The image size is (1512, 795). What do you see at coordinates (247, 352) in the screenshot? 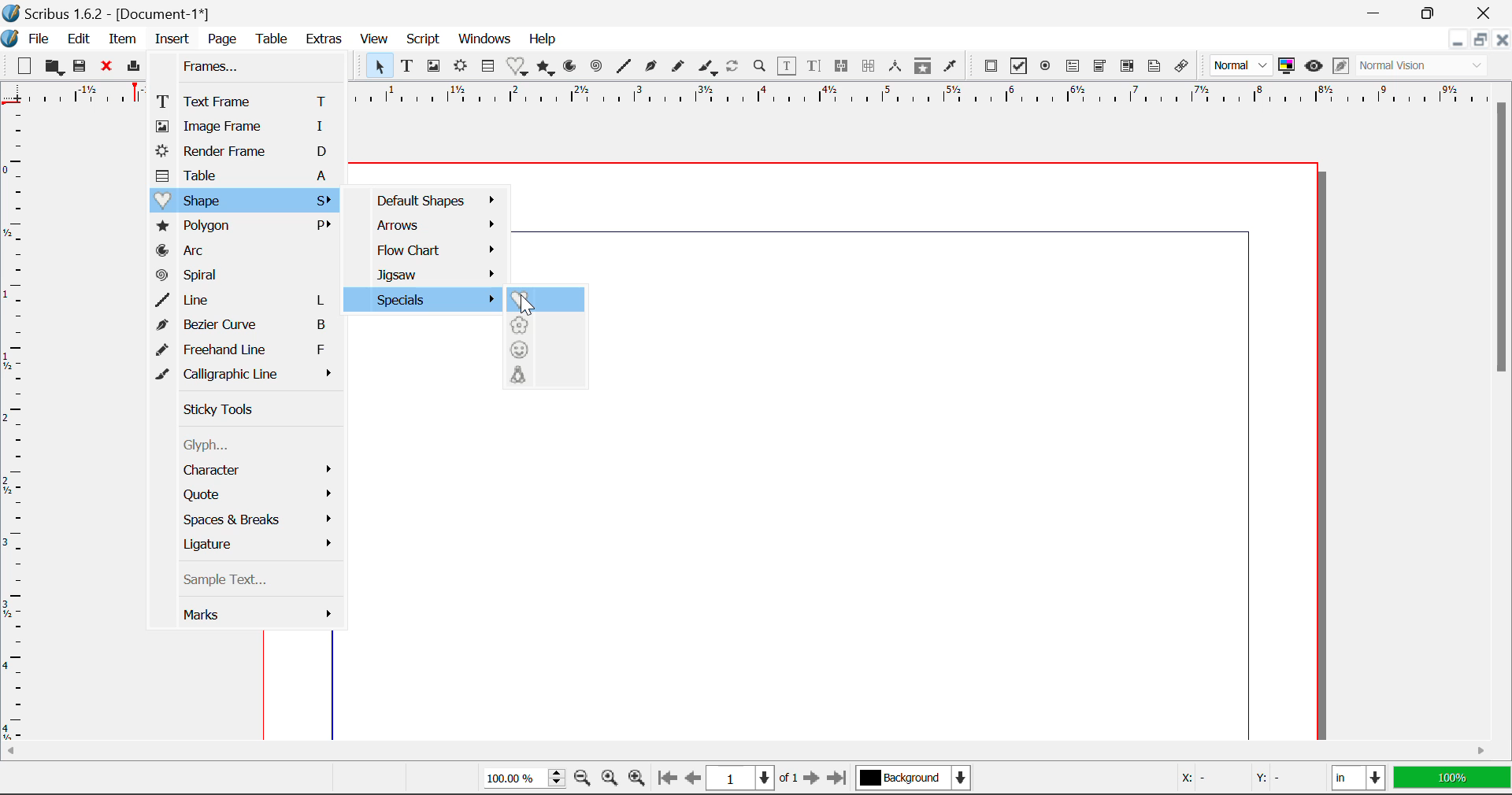
I see `Freehand Line` at bounding box center [247, 352].